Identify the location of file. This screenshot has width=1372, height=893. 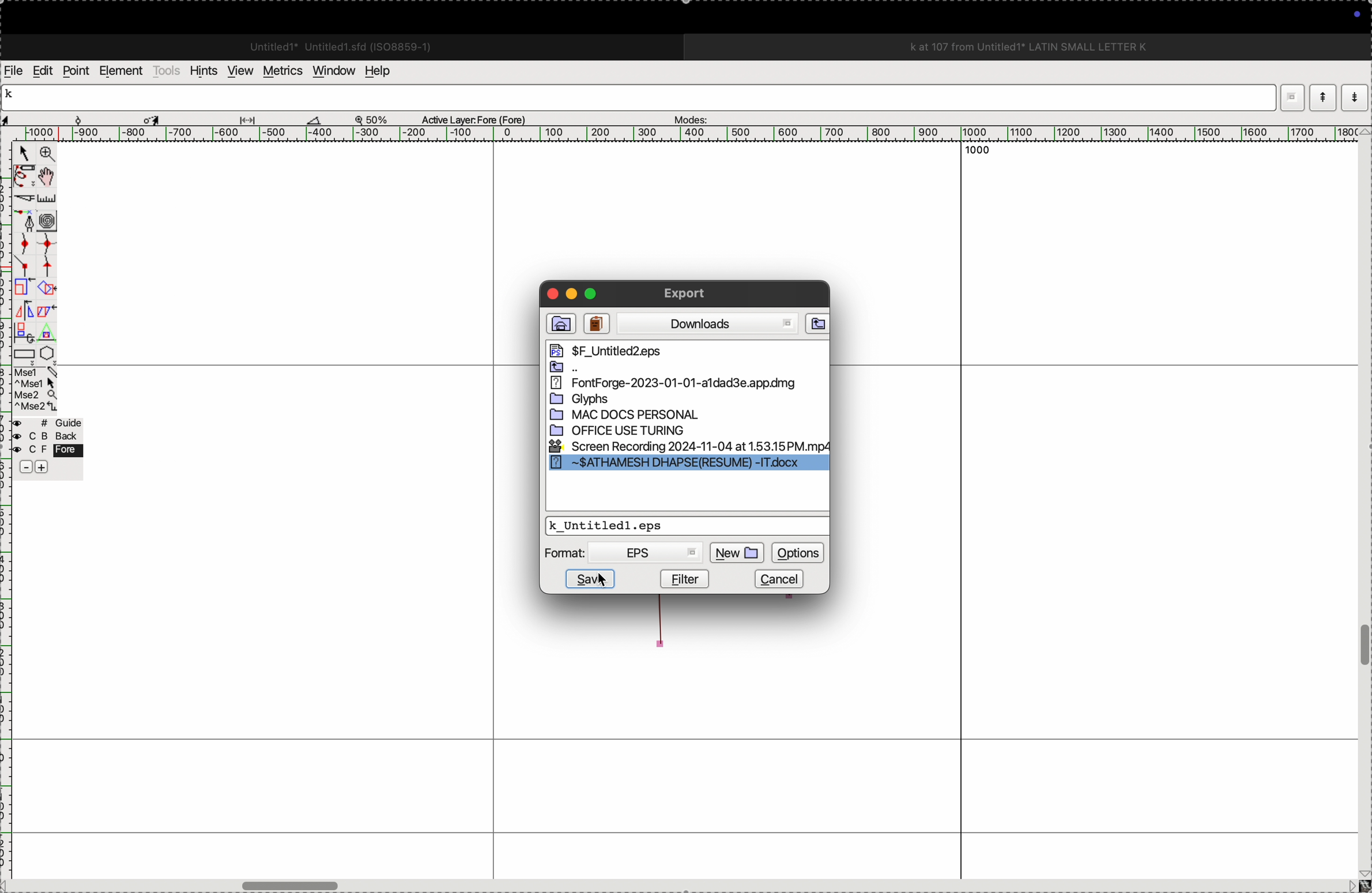
(673, 369).